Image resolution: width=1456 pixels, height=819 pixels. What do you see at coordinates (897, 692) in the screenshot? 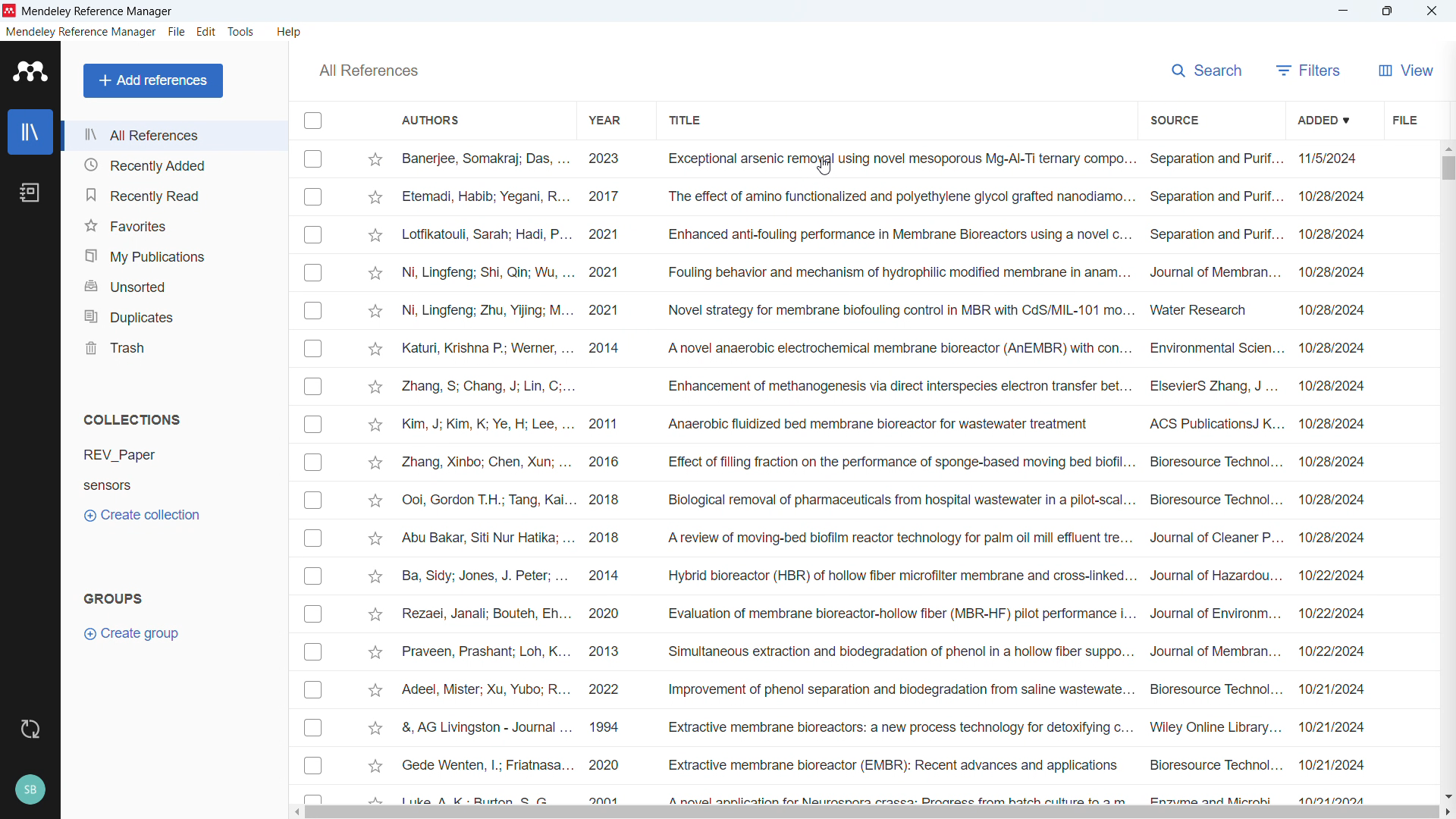
I see `improvement of phenol separation and biodegradation from saline wastewater` at bounding box center [897, 692].